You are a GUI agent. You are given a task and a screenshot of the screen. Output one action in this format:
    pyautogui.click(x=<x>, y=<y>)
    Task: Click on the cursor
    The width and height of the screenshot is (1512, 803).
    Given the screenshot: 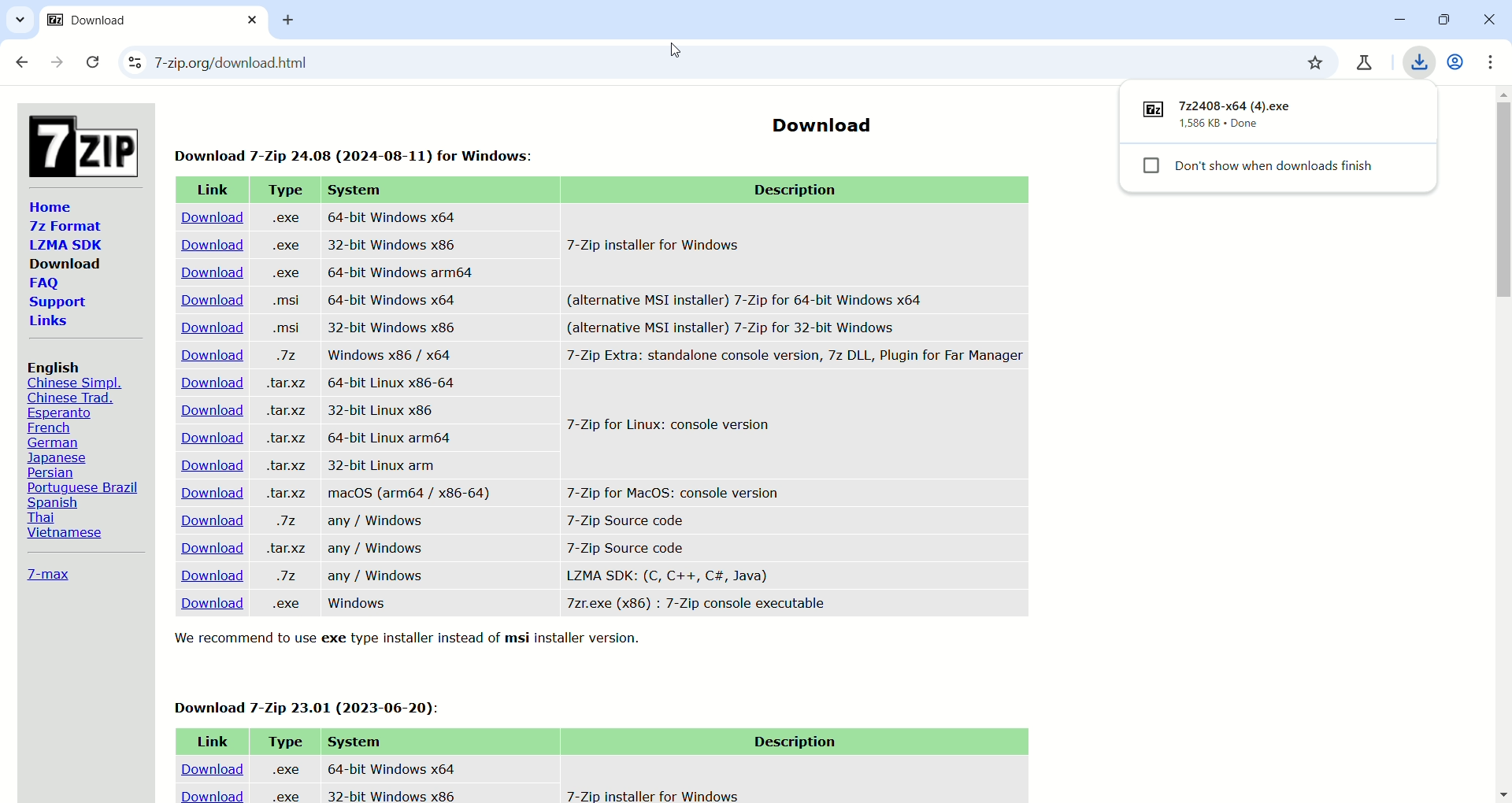 What is the action you would take?
    pyautogui.click(x=674, y=52)
    